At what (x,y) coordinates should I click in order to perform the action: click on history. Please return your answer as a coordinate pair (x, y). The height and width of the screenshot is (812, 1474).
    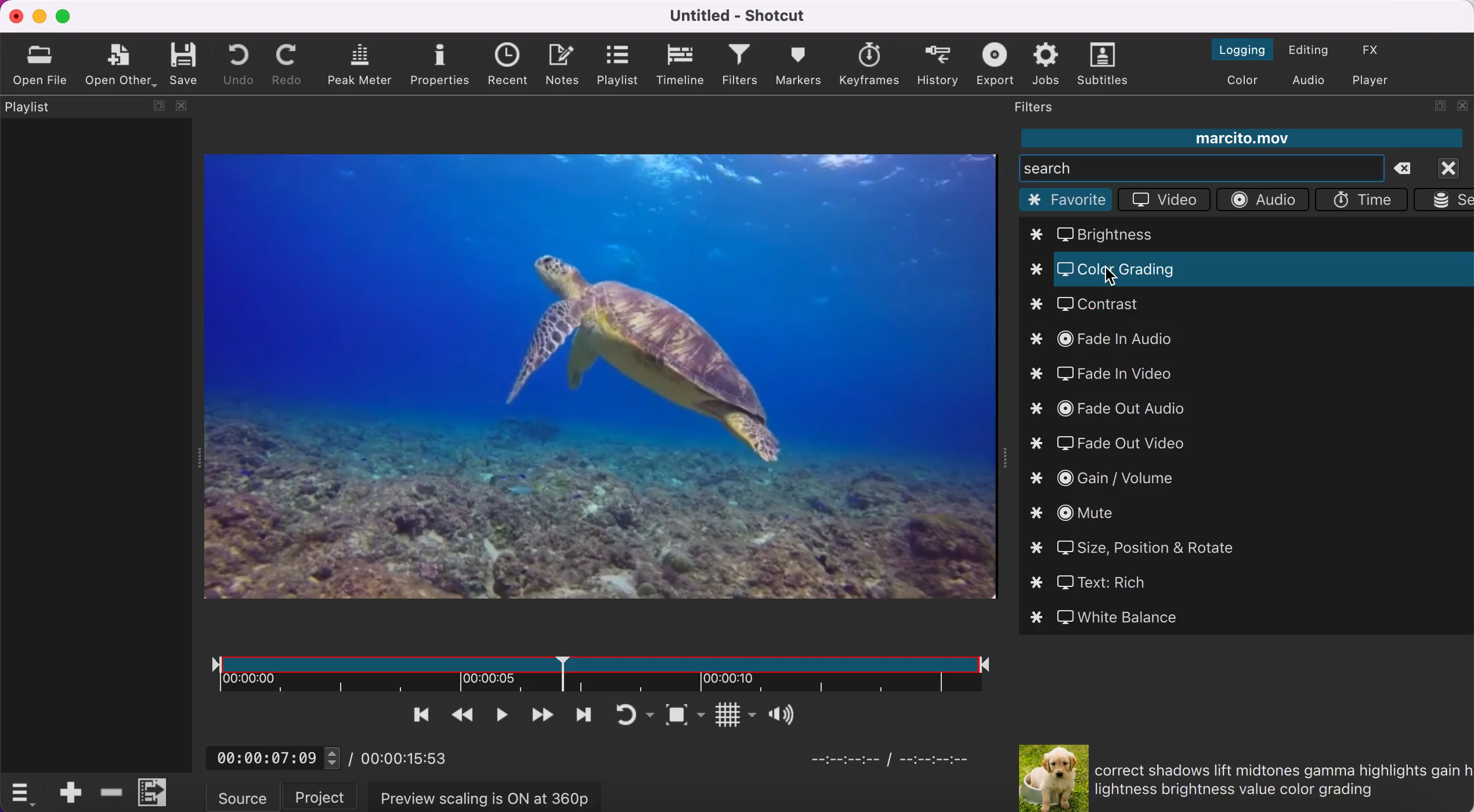
    Looking at the image, I should click on (939, 64).